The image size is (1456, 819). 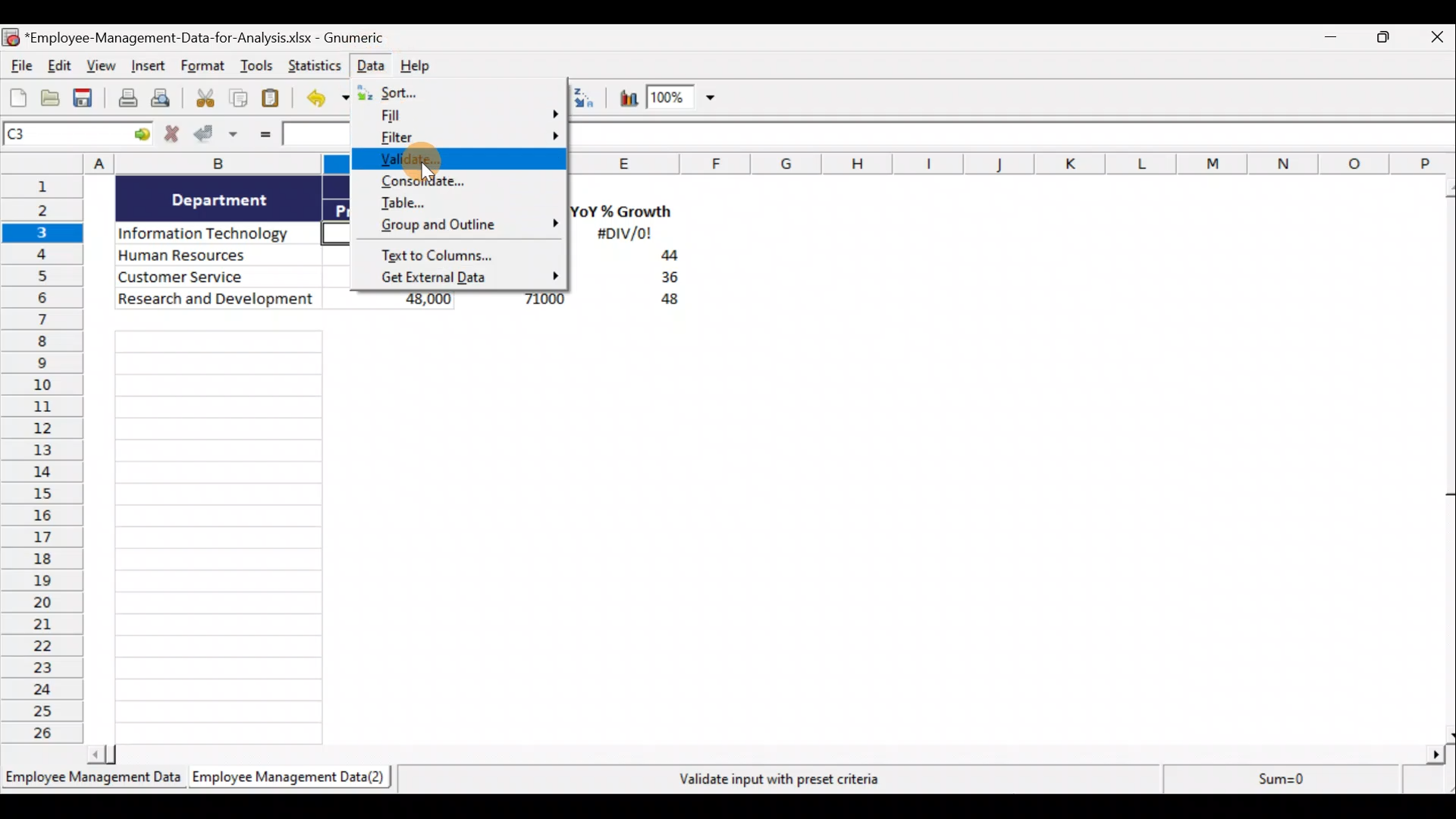 I want to click on Validate, so click(x=457, y=162).